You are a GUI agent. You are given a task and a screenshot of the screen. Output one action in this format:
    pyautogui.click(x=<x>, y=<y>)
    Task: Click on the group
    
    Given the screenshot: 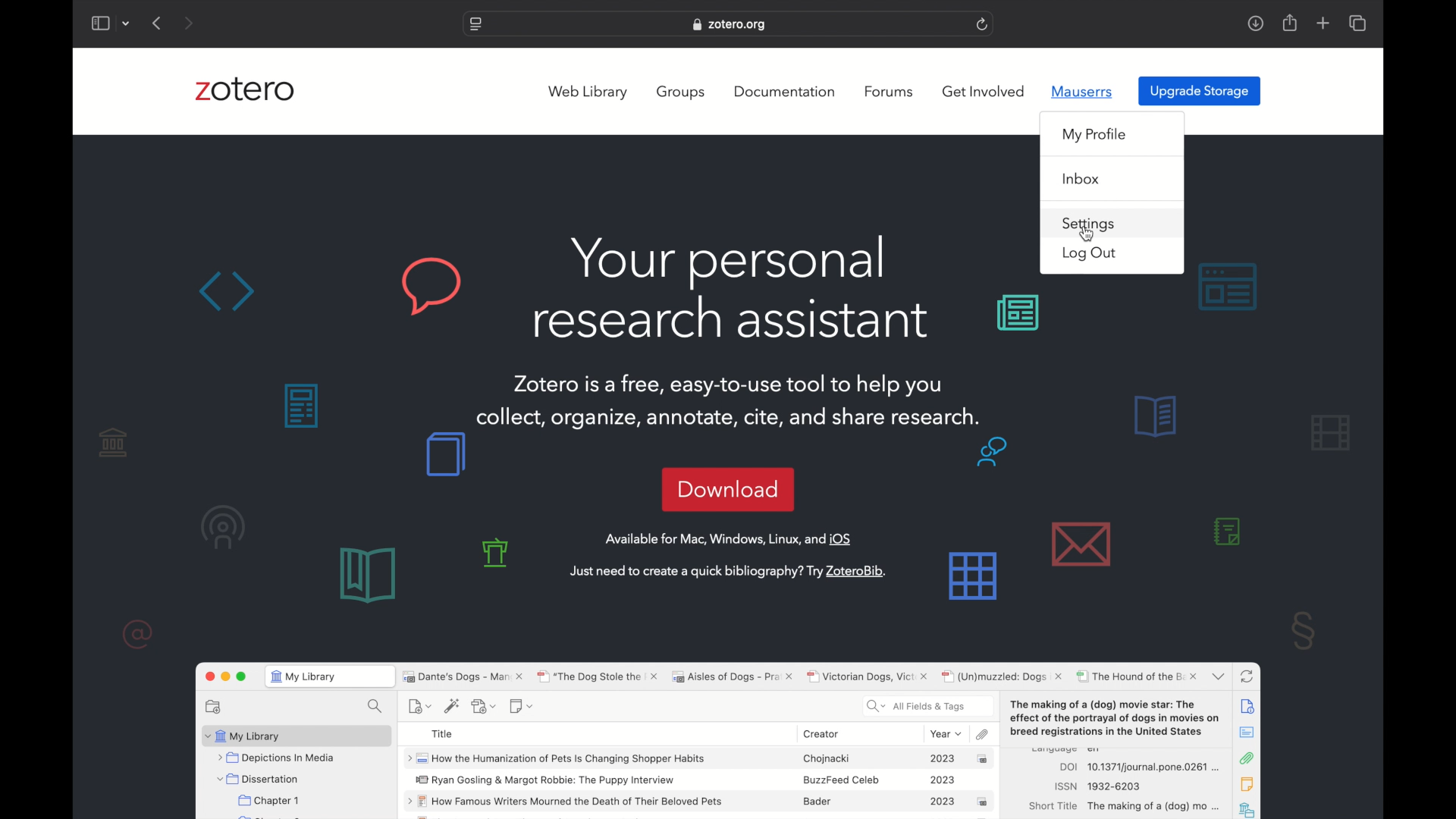 What is the action you would take?
    pyautogui.click(x=682, y=92)
    